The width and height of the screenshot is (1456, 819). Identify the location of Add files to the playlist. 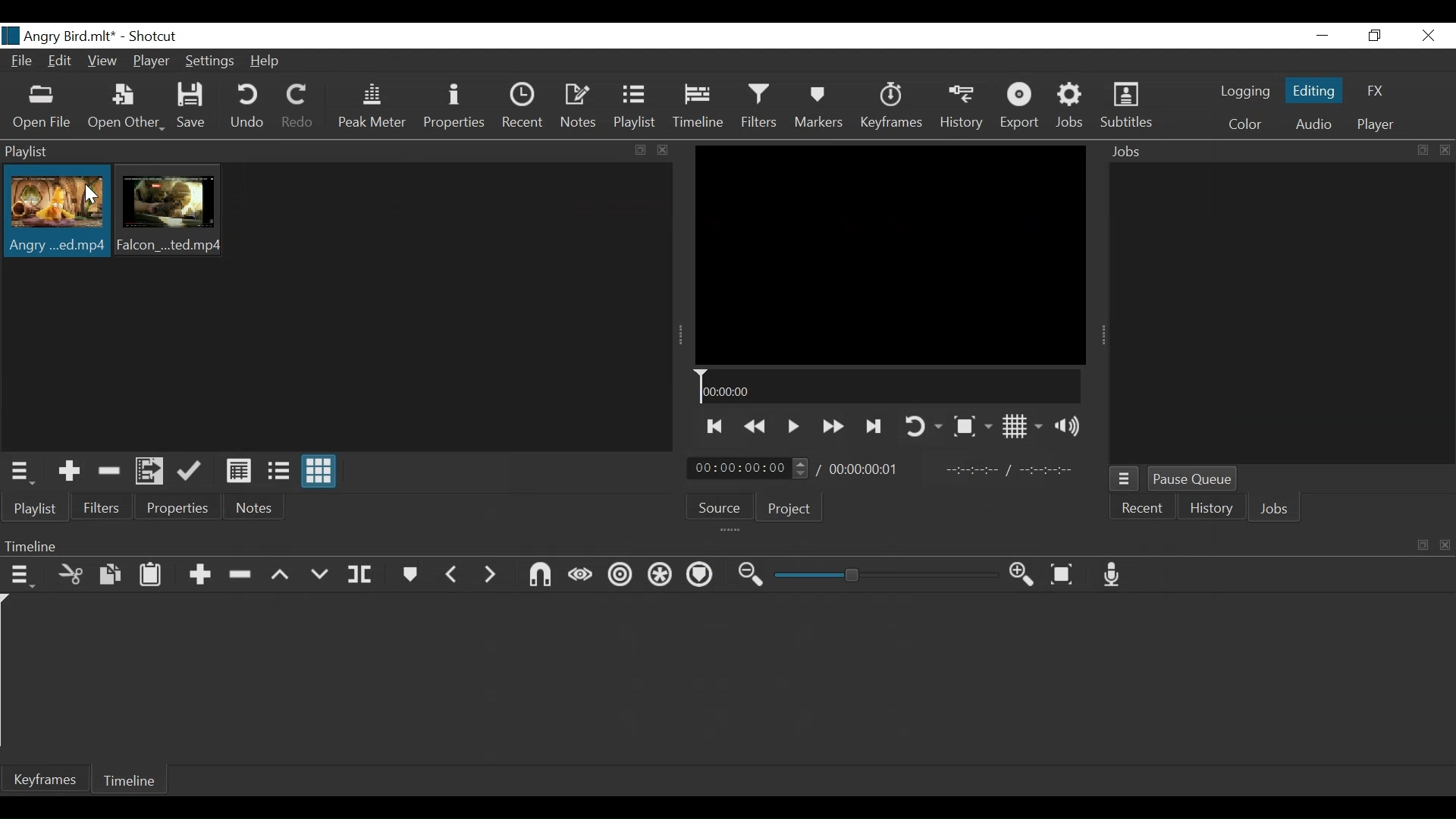
(151, 472).